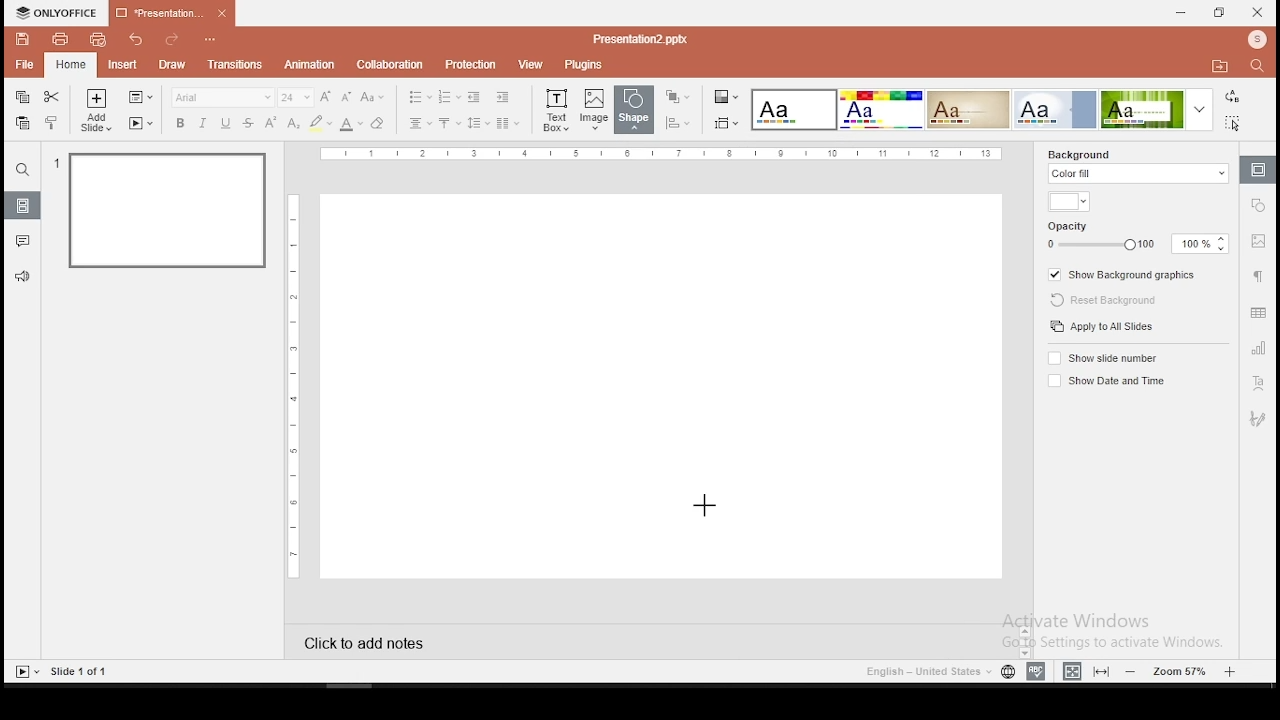 The height and width of the screenshot is (720, 1280). I want to click on vertical alignment, so click(448, 124).